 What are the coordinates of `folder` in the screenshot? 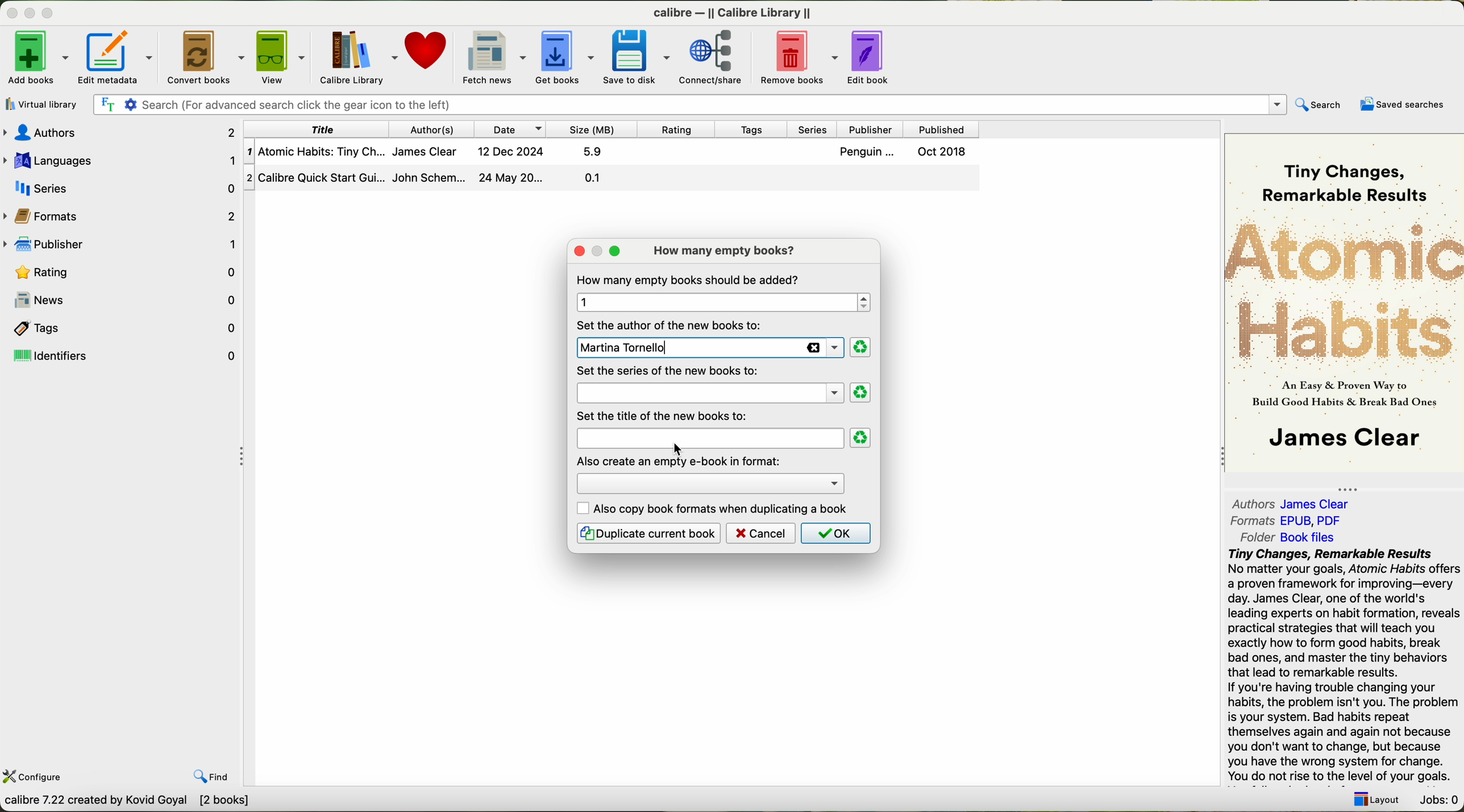 It's located at (1286, 538).